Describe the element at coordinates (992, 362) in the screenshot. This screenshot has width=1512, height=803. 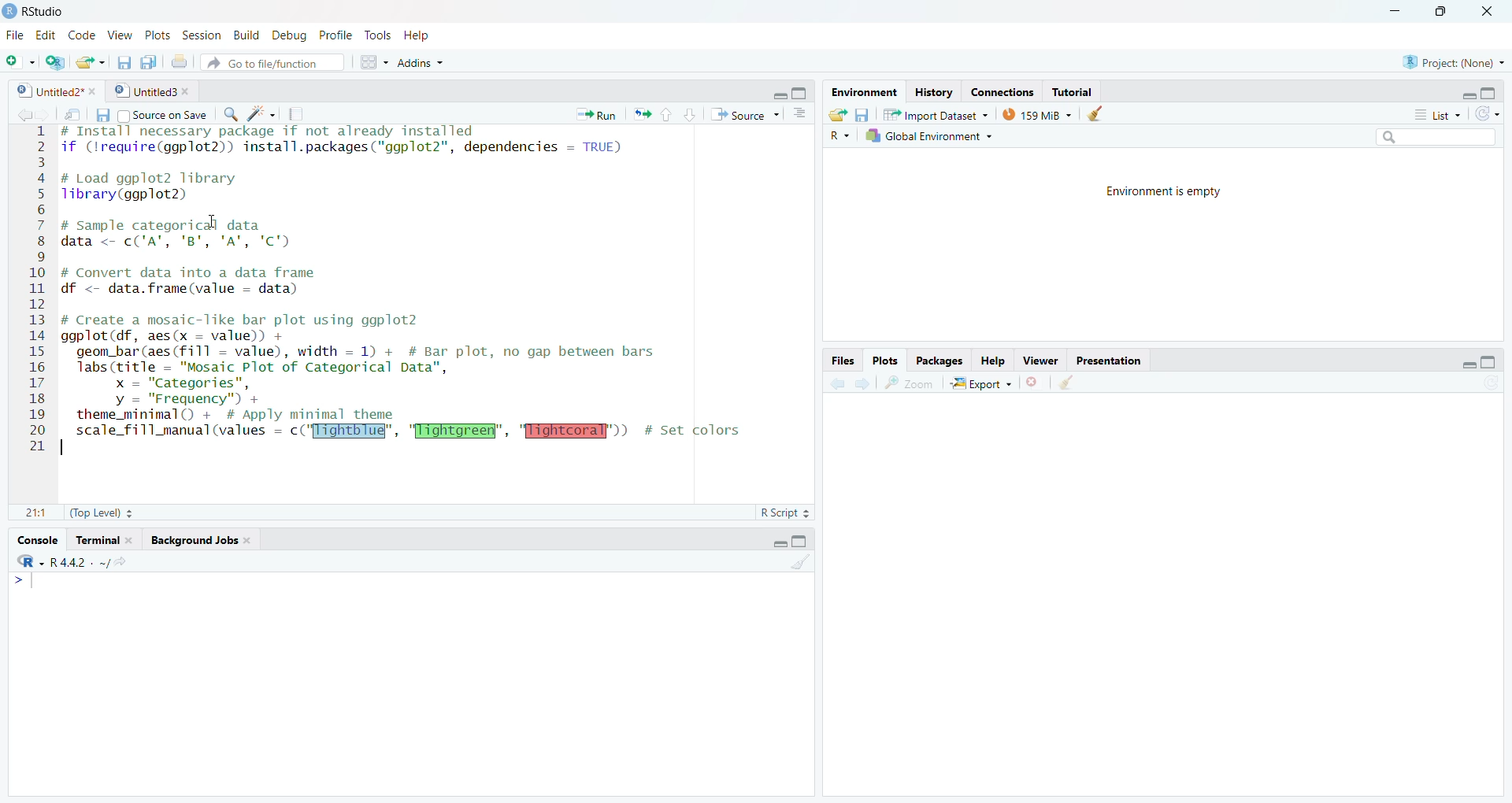
I see `Help` at that location.